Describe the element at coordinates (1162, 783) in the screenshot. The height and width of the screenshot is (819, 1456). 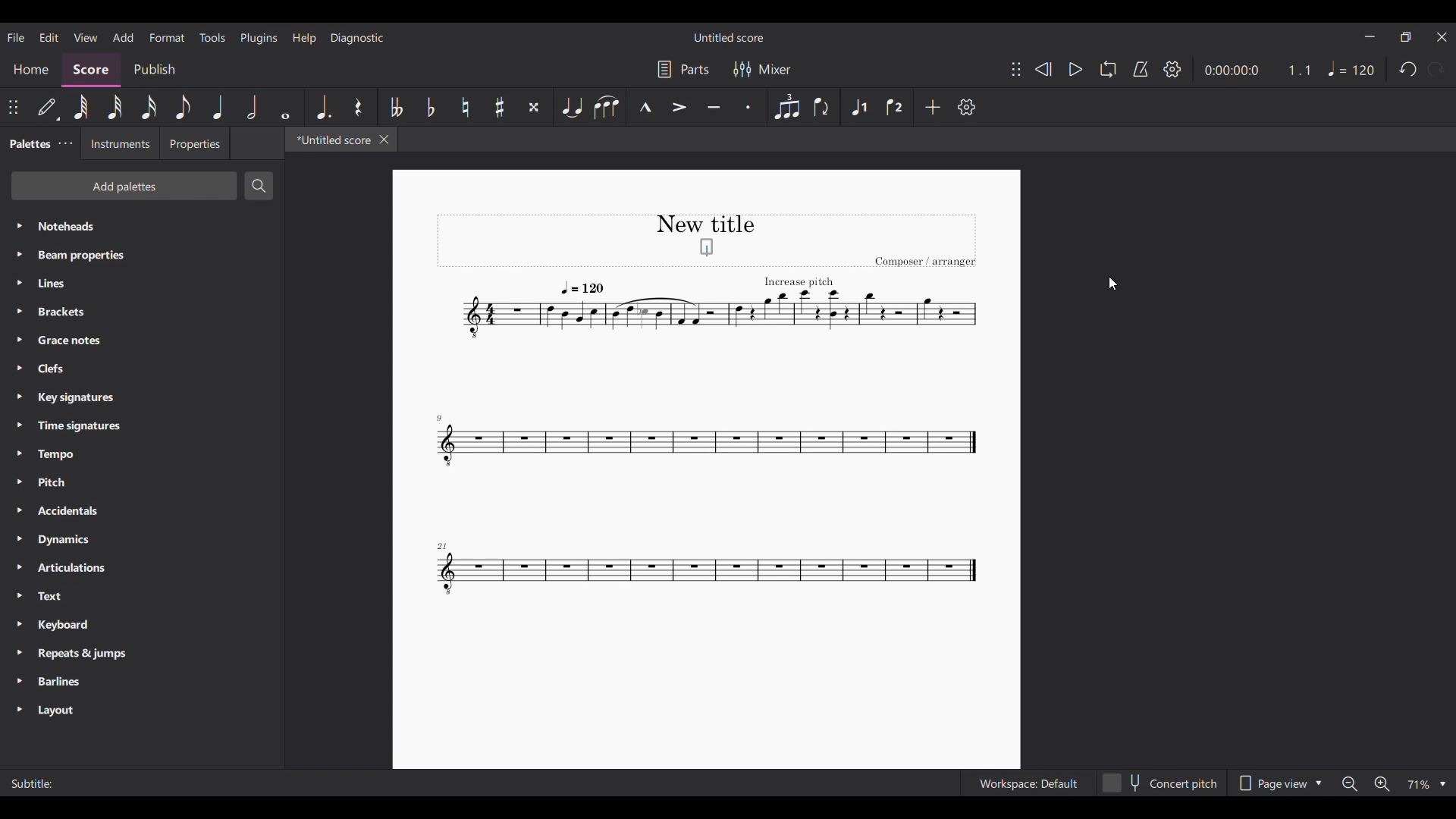
I see `Concert pitch toggle` at that location.